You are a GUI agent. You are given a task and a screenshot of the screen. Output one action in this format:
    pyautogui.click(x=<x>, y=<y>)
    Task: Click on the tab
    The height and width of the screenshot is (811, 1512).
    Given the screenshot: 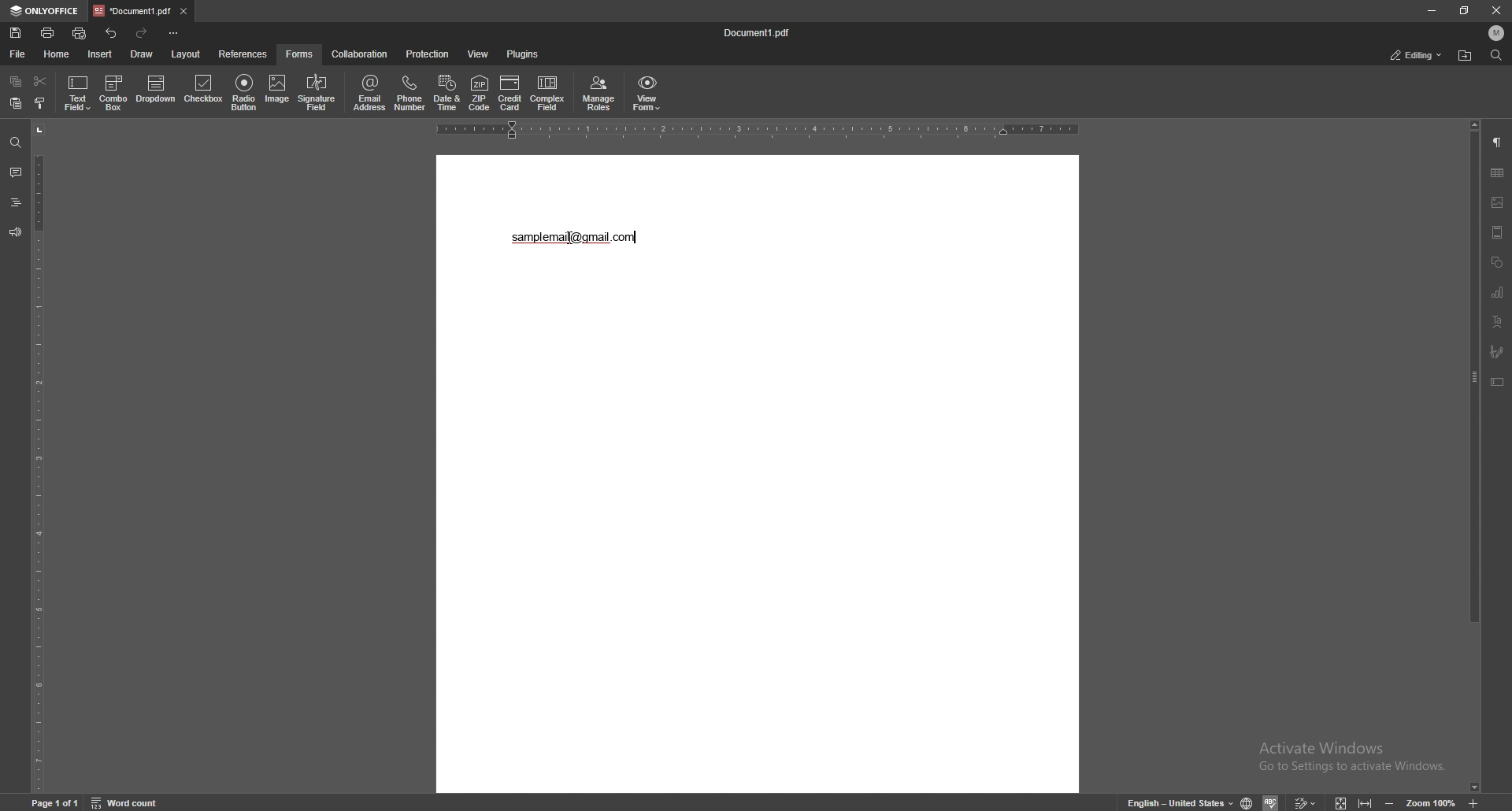 What is the action you would take?
    pyautogui.click(x=131, y=11)
    